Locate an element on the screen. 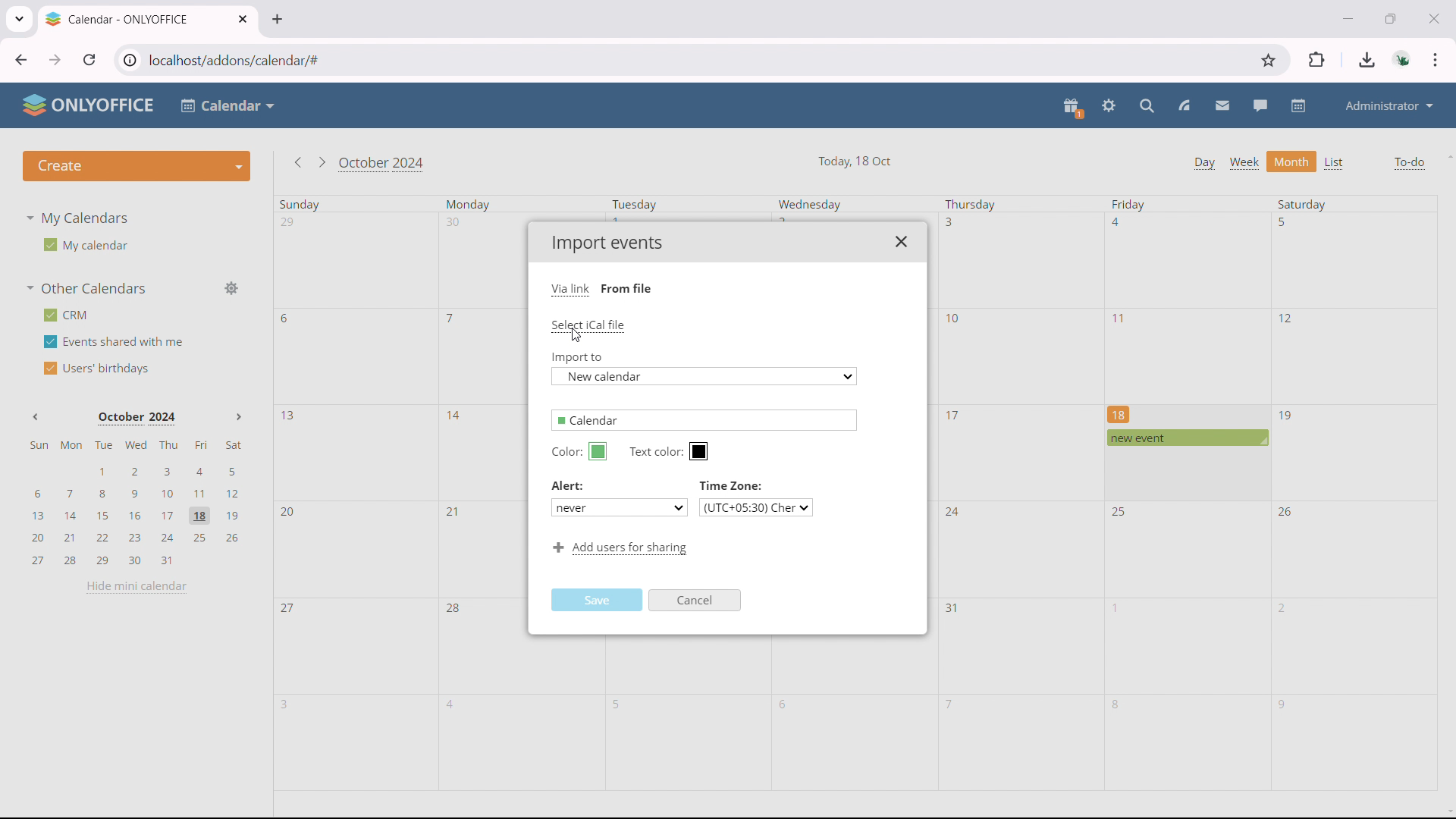  Wednesday is located at coordinates (810, 205).